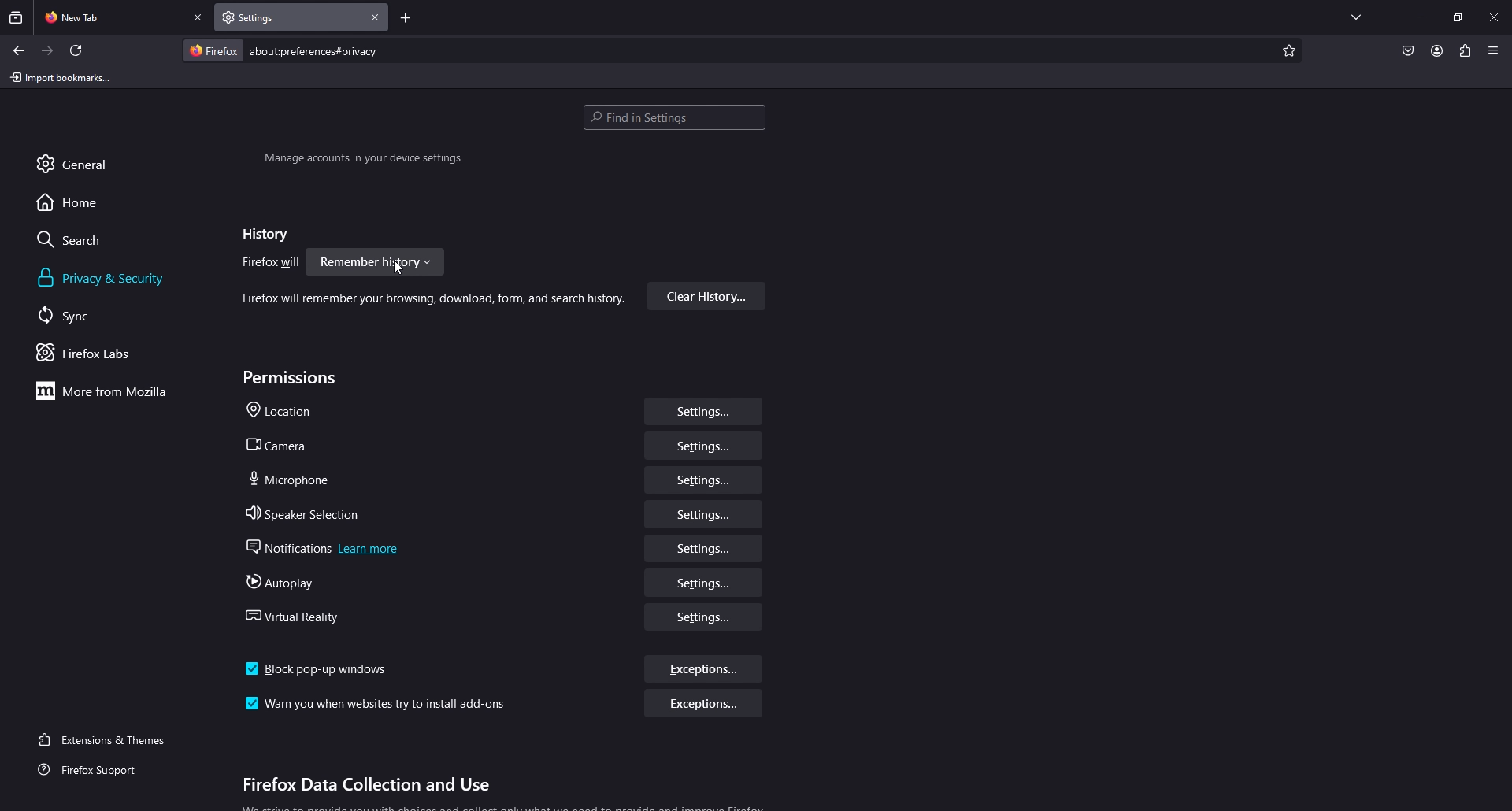  I want to click on cursor, so click(397, 268).